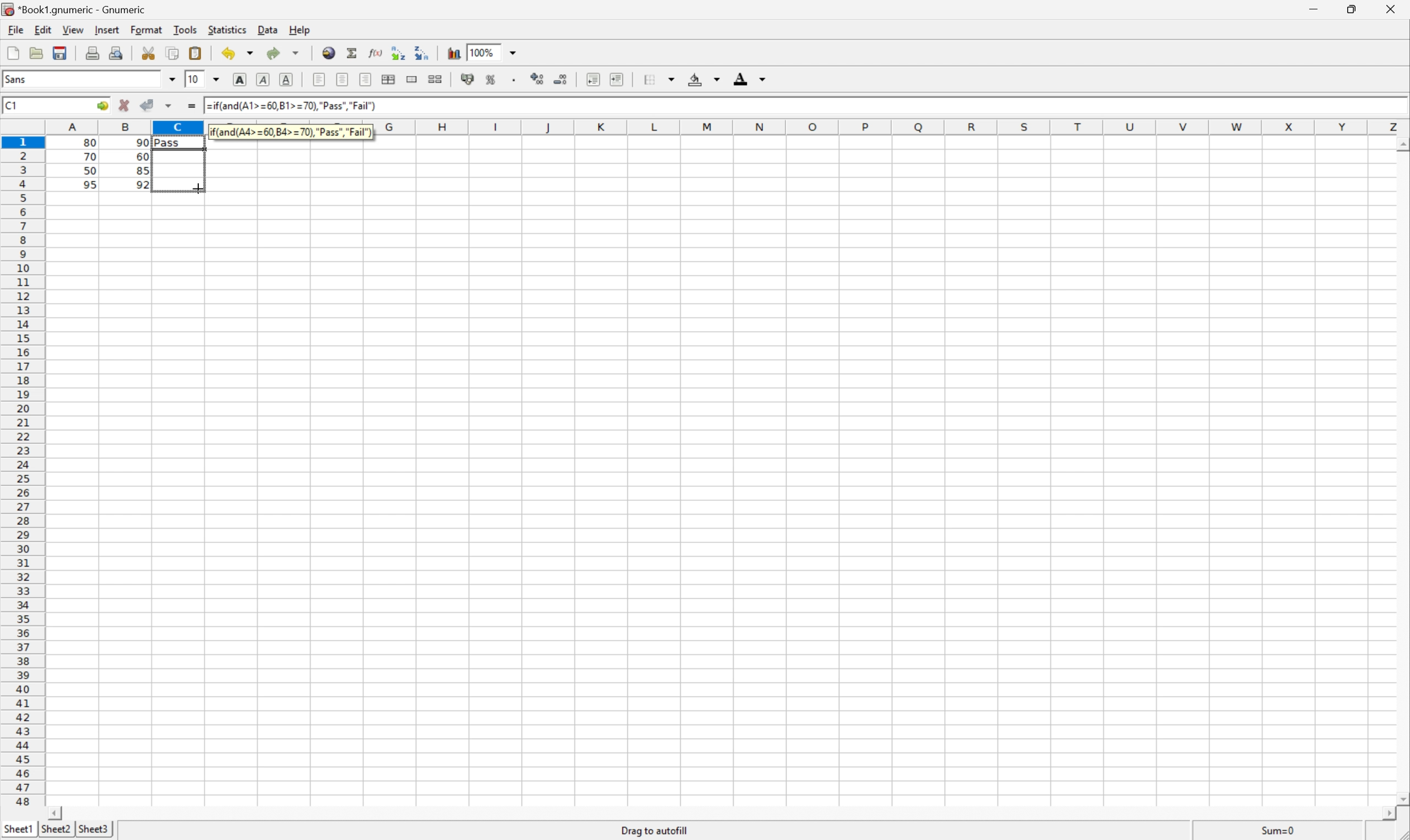  Describe the element at coordinates (1353, 7) in the screenshot. I see `Restore Down` at that location.